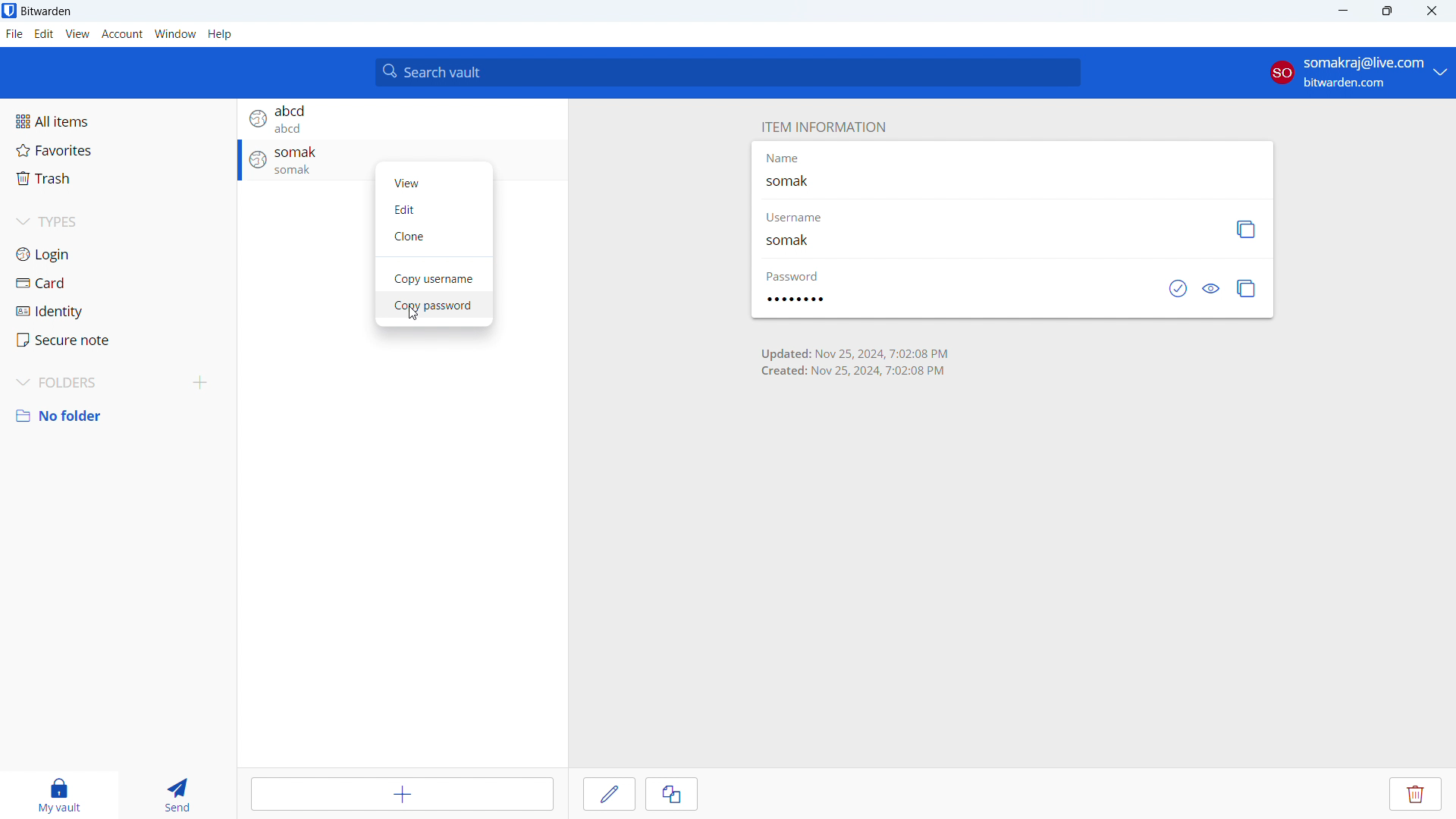  Describe the element at coordinates (58, 795) in the screenshot. I see `my vault` at that location.